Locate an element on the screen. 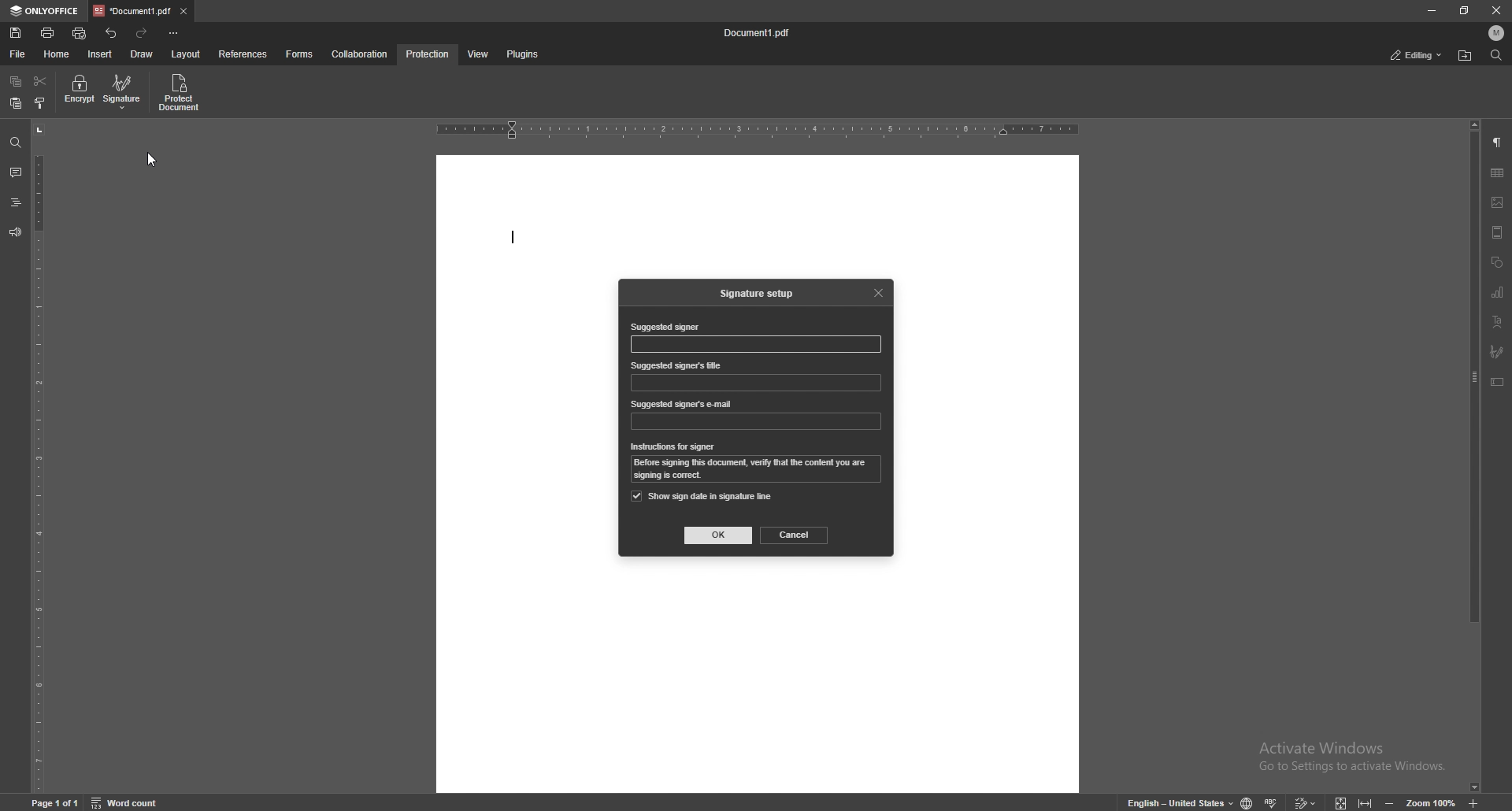 This screenshot has width=1512, height=811. signature is located at coordinates (1497, 352).